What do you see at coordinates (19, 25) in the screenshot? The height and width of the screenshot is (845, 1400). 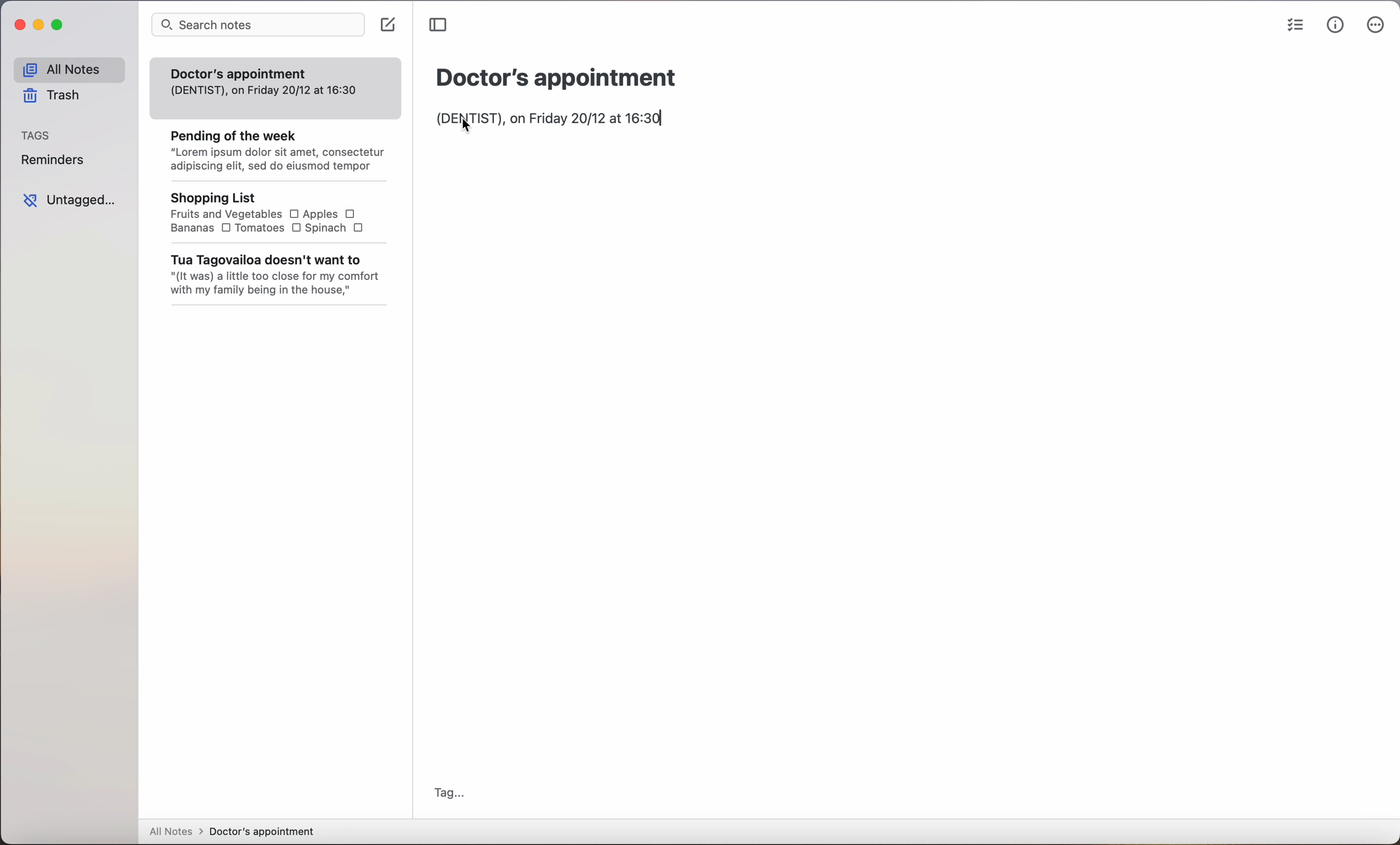 I see `close app` at bounding box center [19, 25].